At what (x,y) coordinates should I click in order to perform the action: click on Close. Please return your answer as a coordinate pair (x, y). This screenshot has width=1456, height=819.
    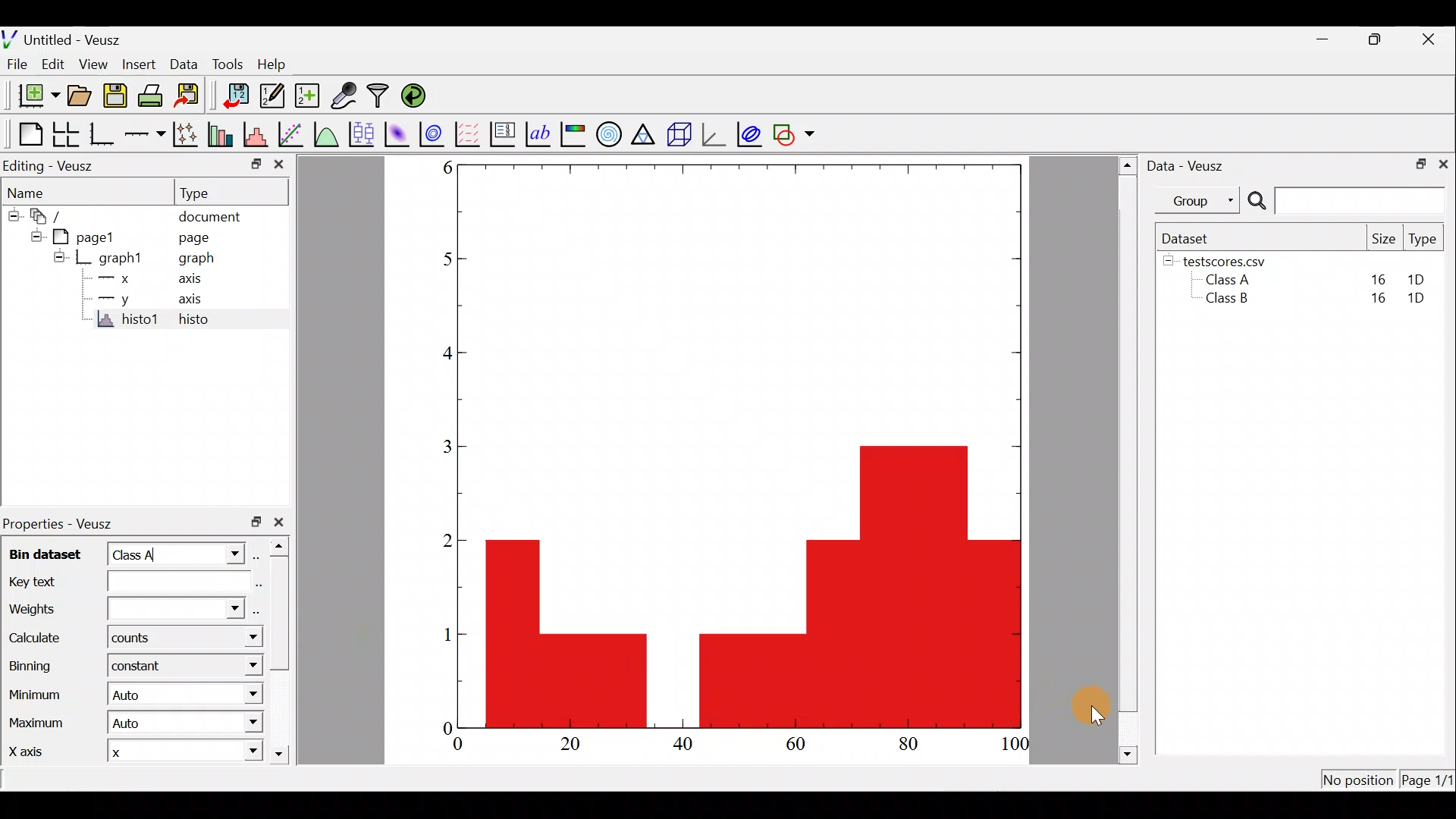
    Looking at the image, I should click on (1445, 165).